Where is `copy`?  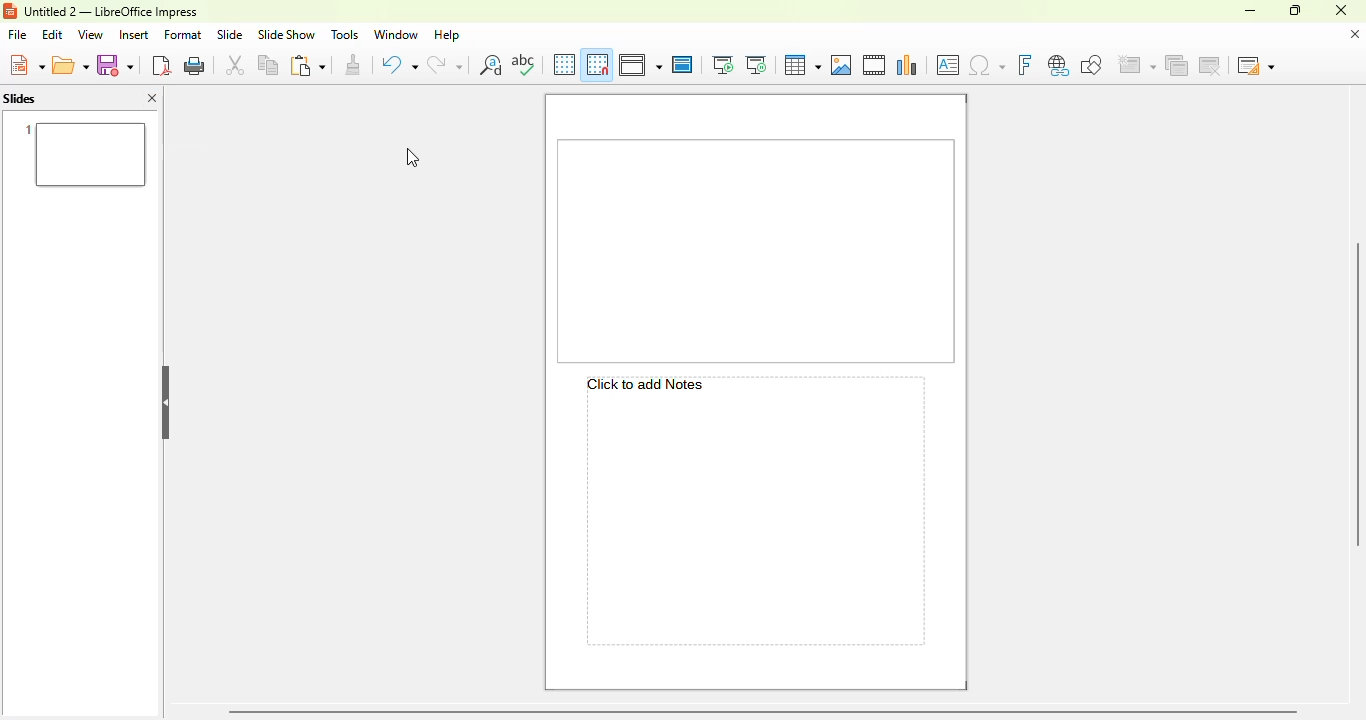
copy is located at coordinates (269, 65).